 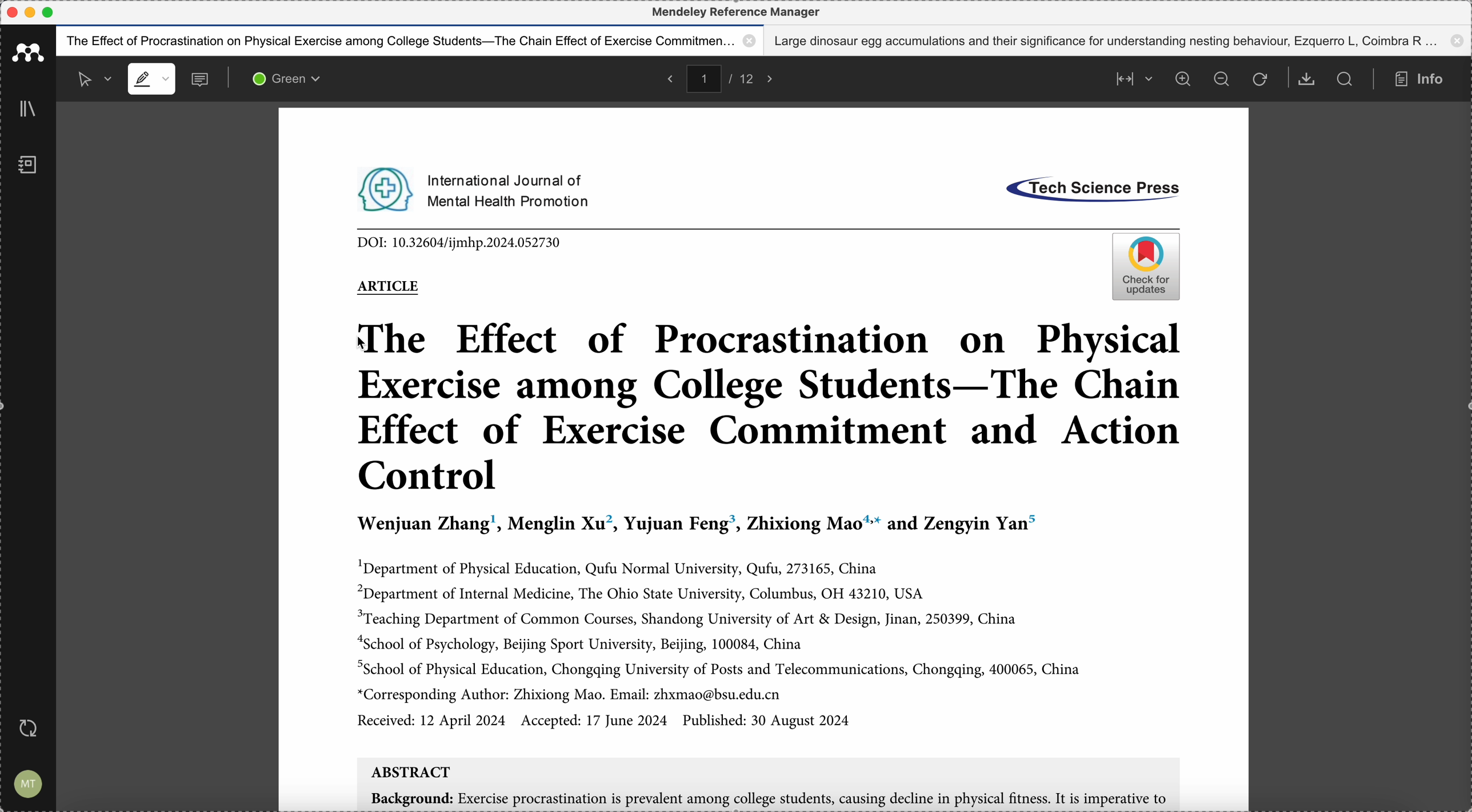 I want to click on align page, so click(x=1131, y=78).